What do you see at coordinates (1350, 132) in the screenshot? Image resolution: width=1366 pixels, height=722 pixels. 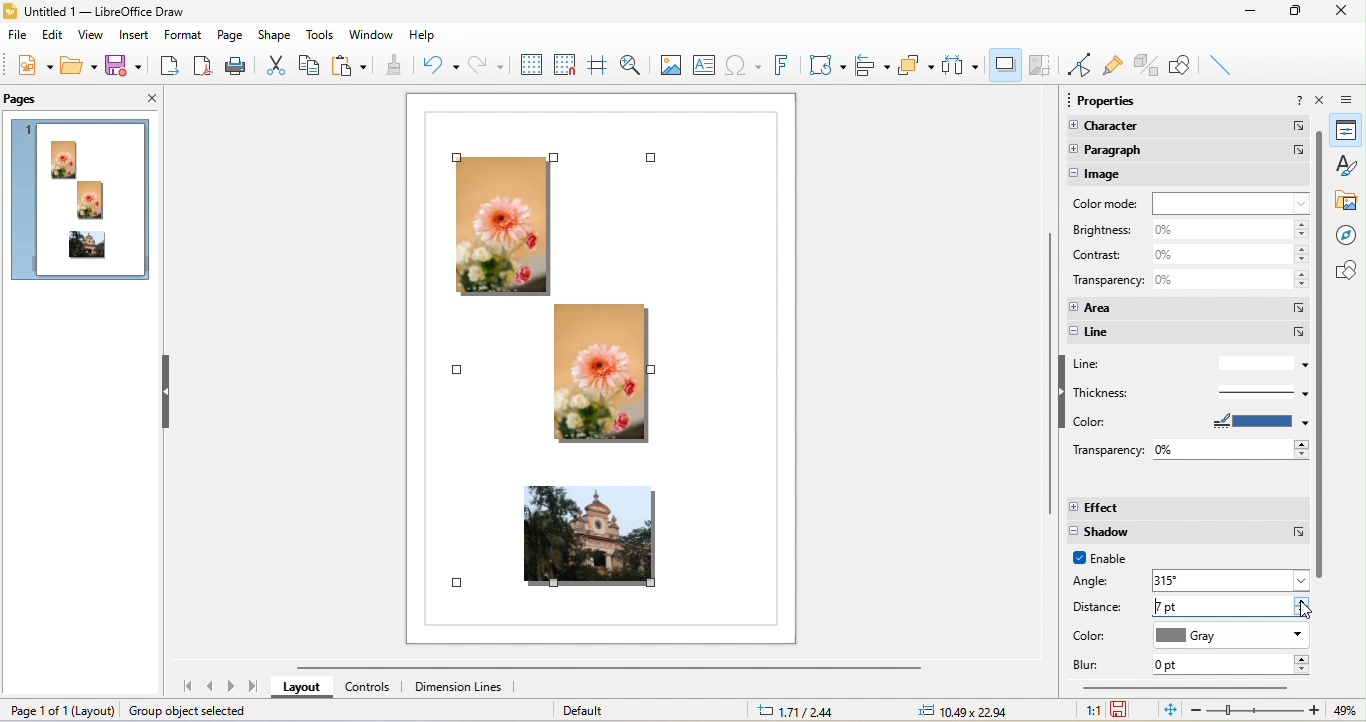 I see `Properties` at bounding box center [1350, 132].